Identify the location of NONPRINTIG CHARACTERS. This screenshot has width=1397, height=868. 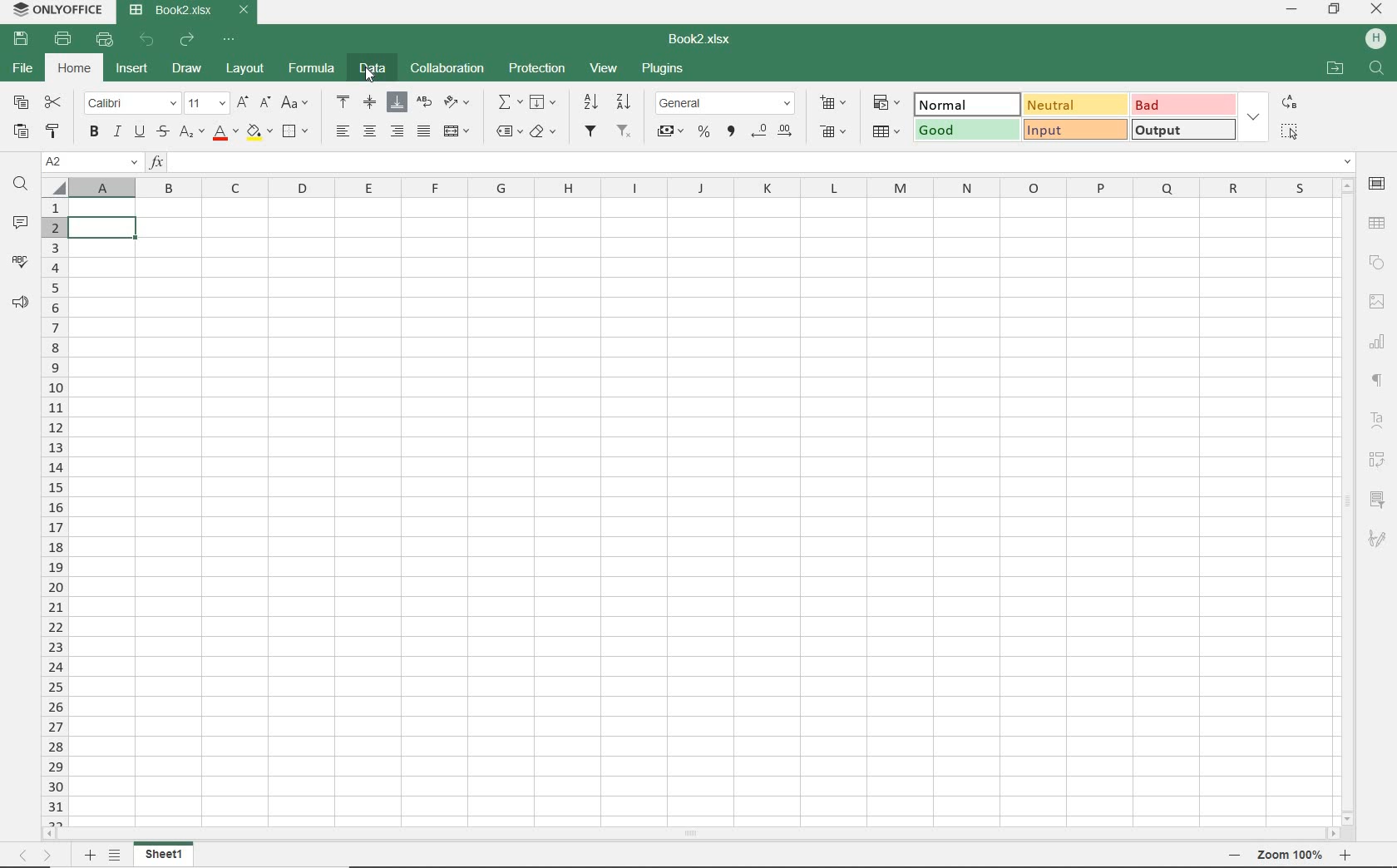
(1379, 382).